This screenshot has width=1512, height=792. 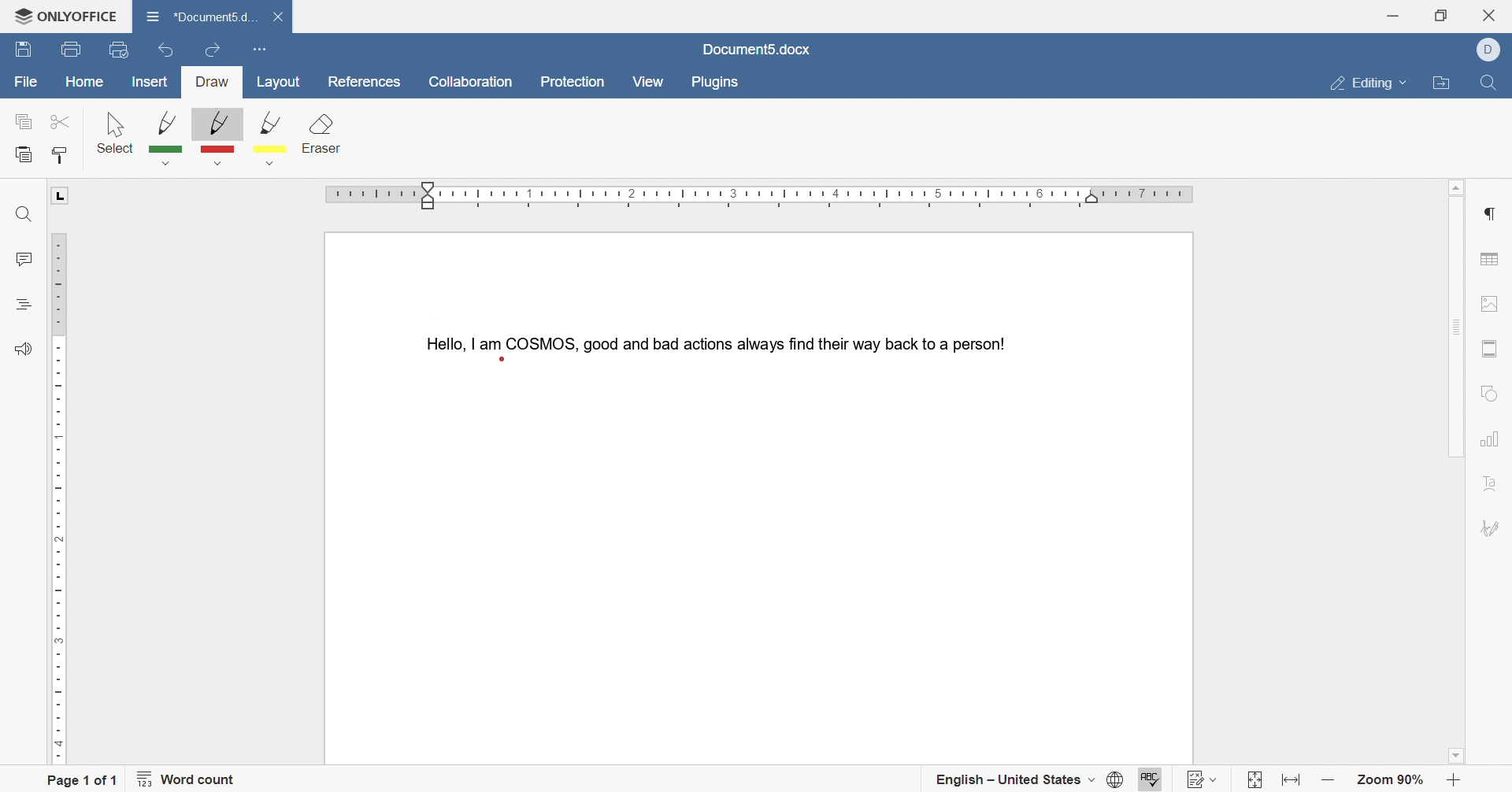 I want to click on green pen , so click(x=168, y=137).